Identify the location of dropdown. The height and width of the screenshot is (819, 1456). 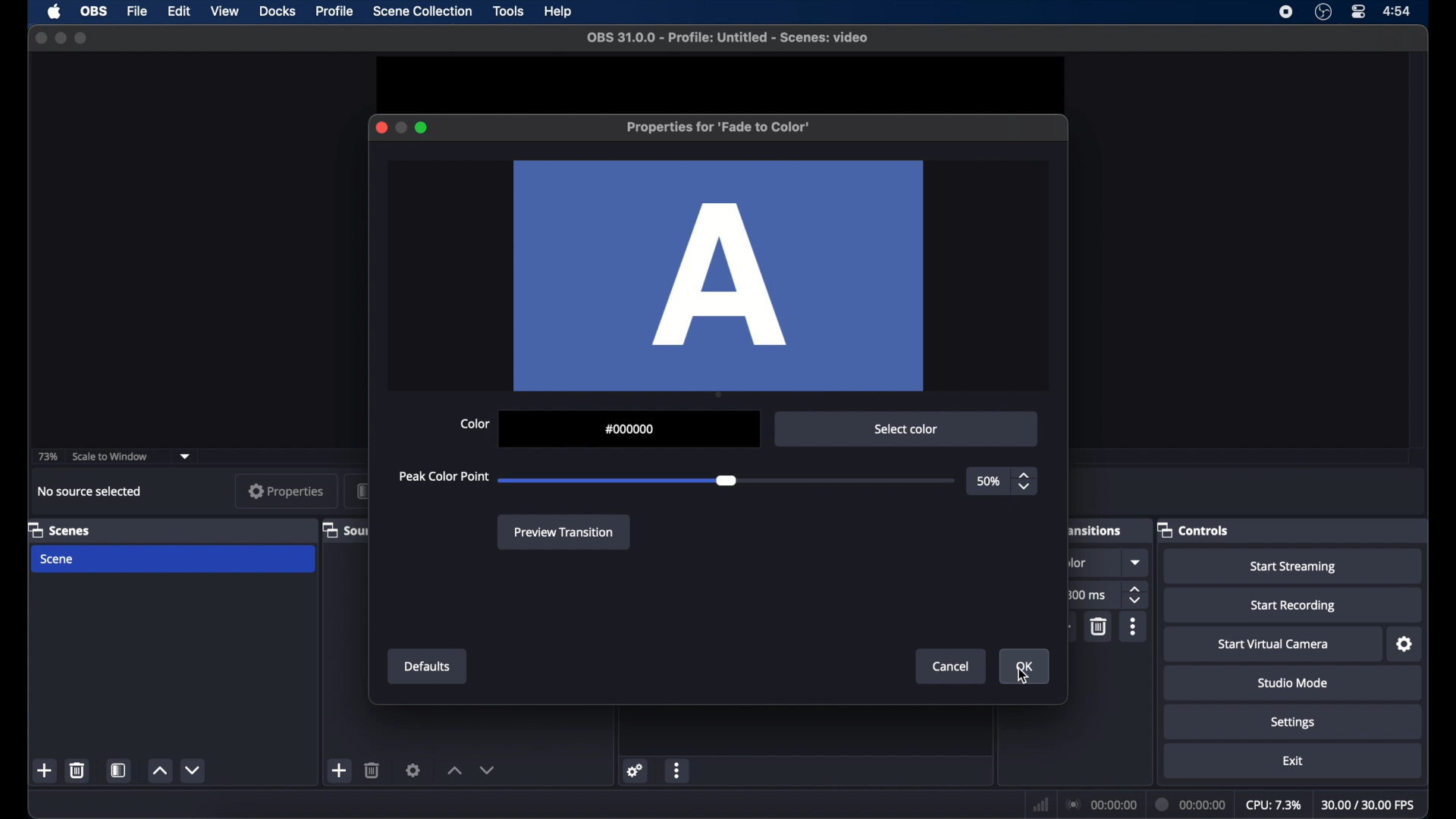
(187, 455).